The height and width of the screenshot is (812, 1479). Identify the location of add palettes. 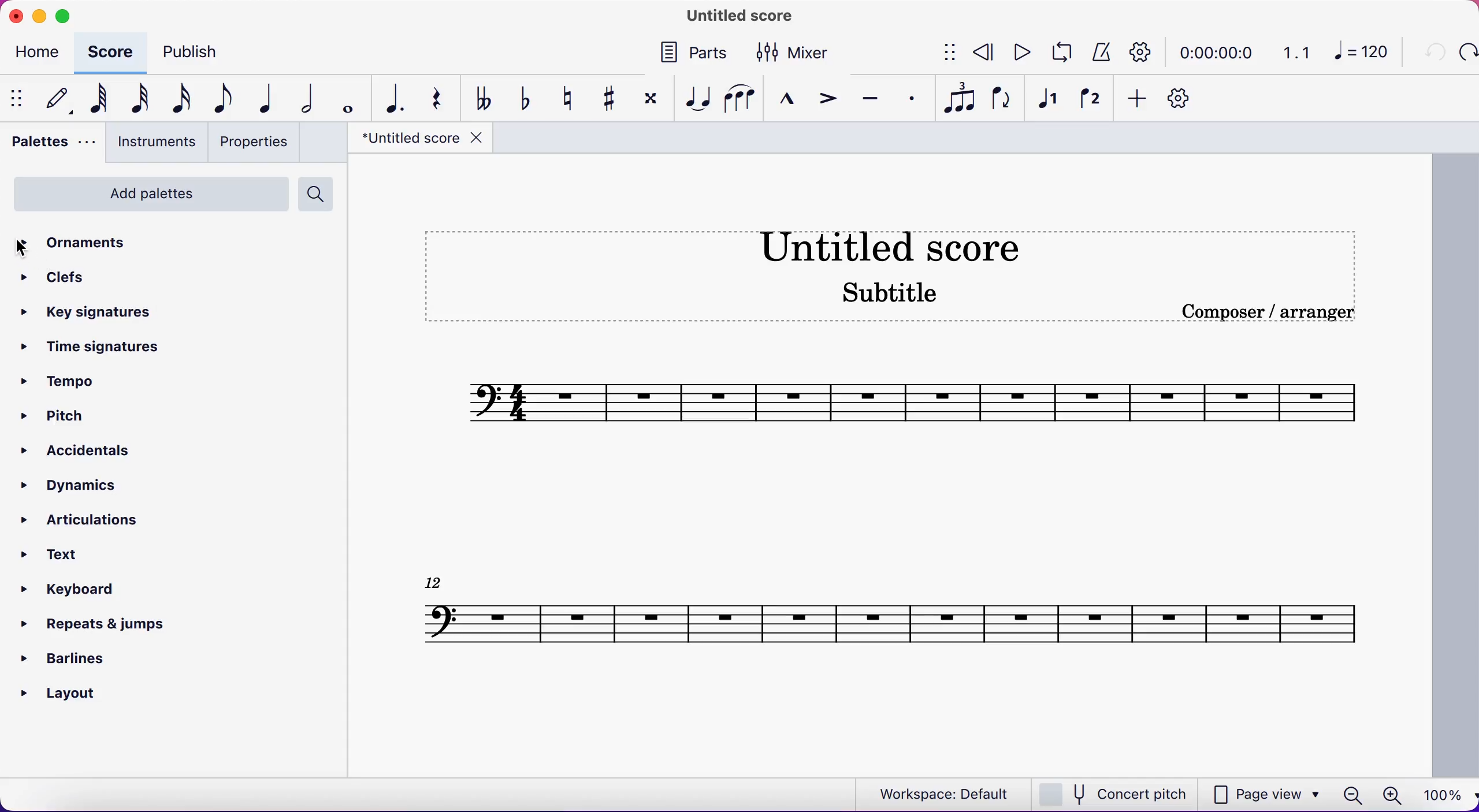
(144, 193).